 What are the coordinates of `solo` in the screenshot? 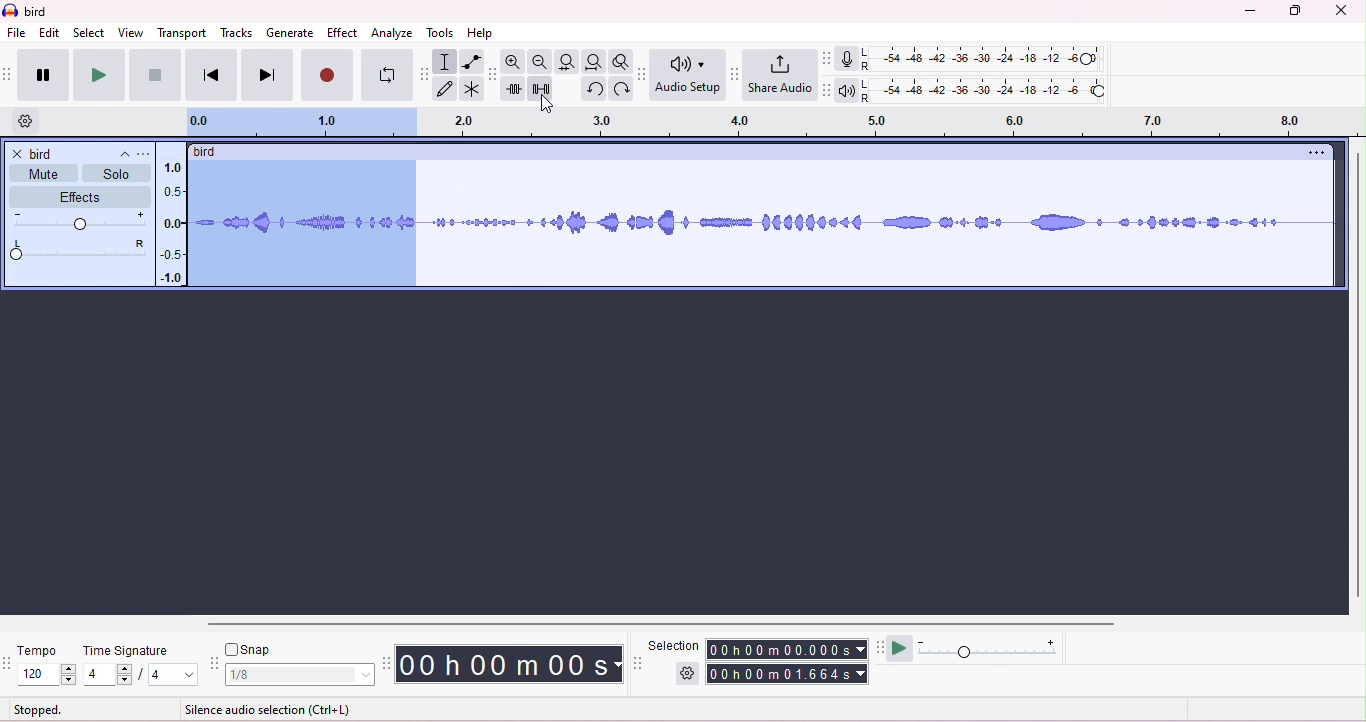 It's located at (116, 174).